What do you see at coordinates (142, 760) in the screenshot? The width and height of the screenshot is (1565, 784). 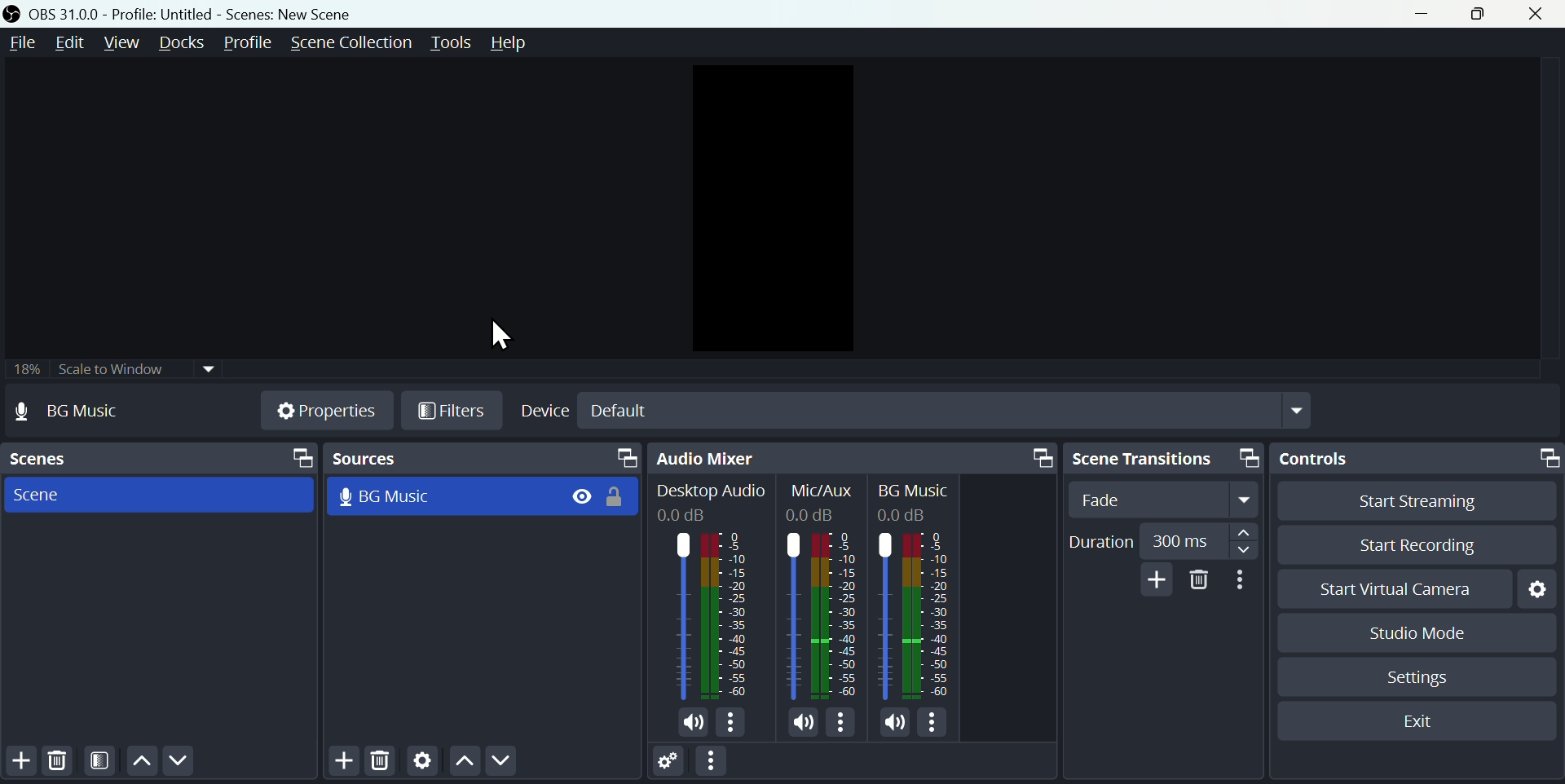 I see `Move up` at bounding box center [142, 760].